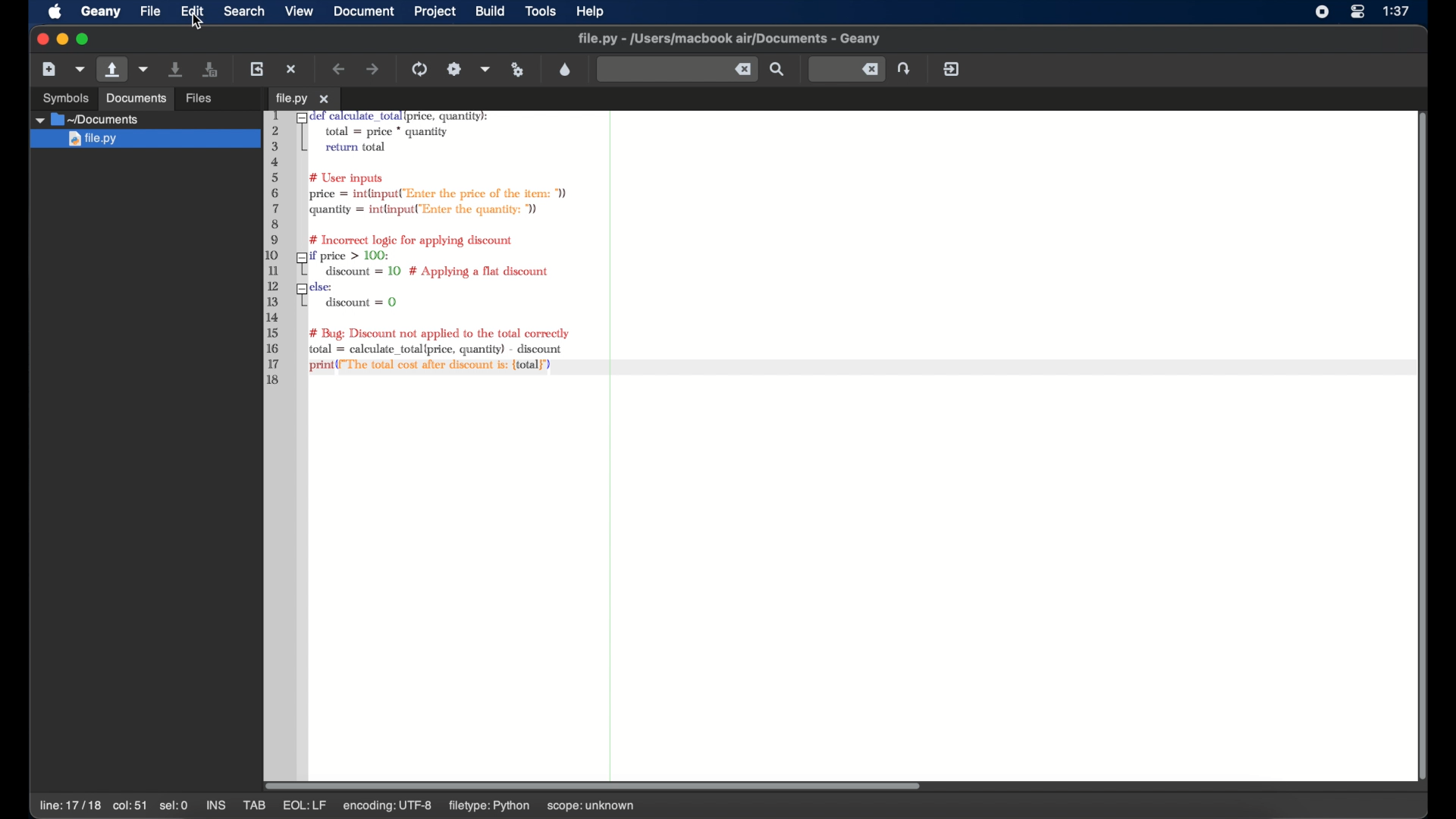  What do you see at coordinates (393, 807) in the screenshot?
I see `encoding: utf-8` at bounding box center [393, 807].